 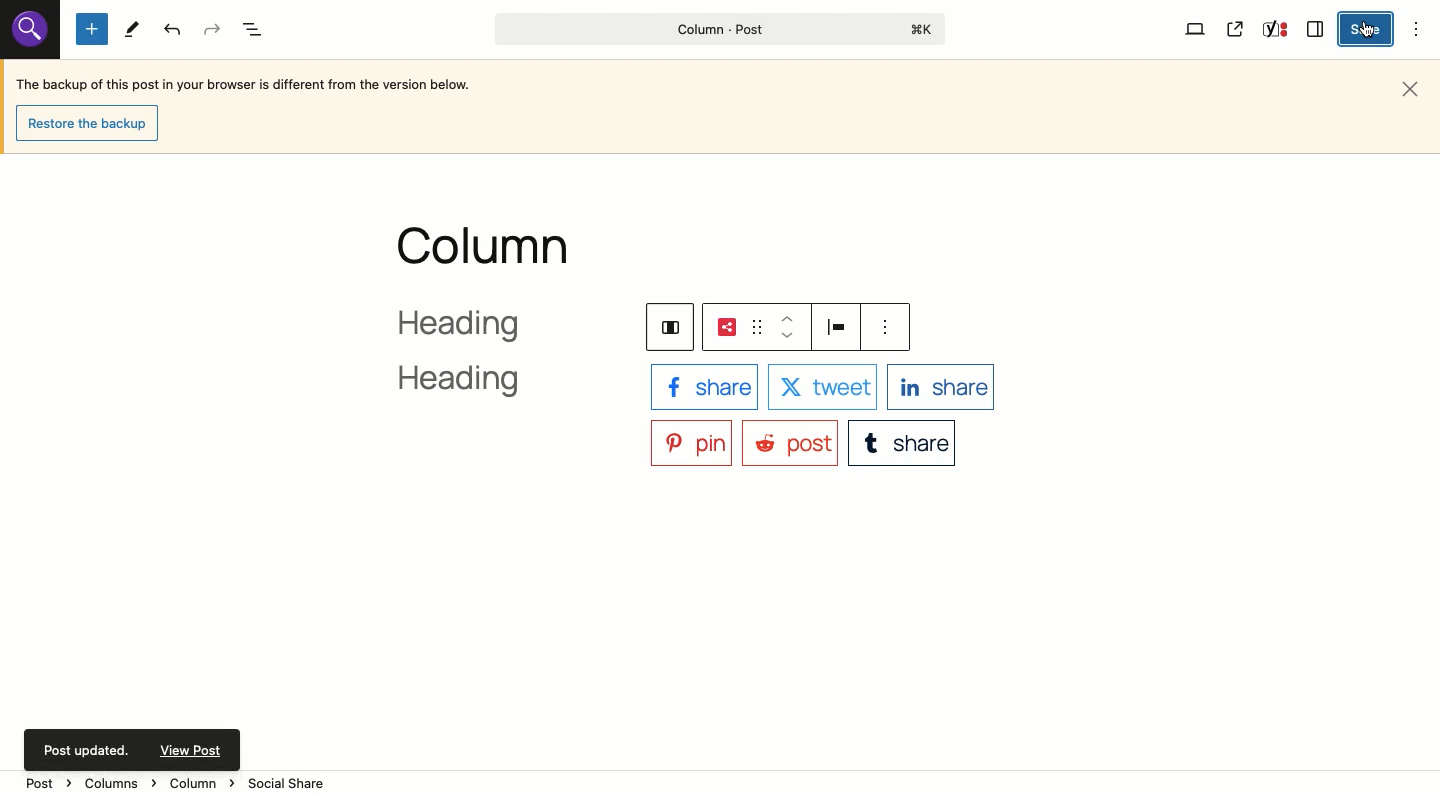 What do you see at coordinates (715, 29) in the screenshot?
I see `Column - Post` at bounding box center [715, 29].